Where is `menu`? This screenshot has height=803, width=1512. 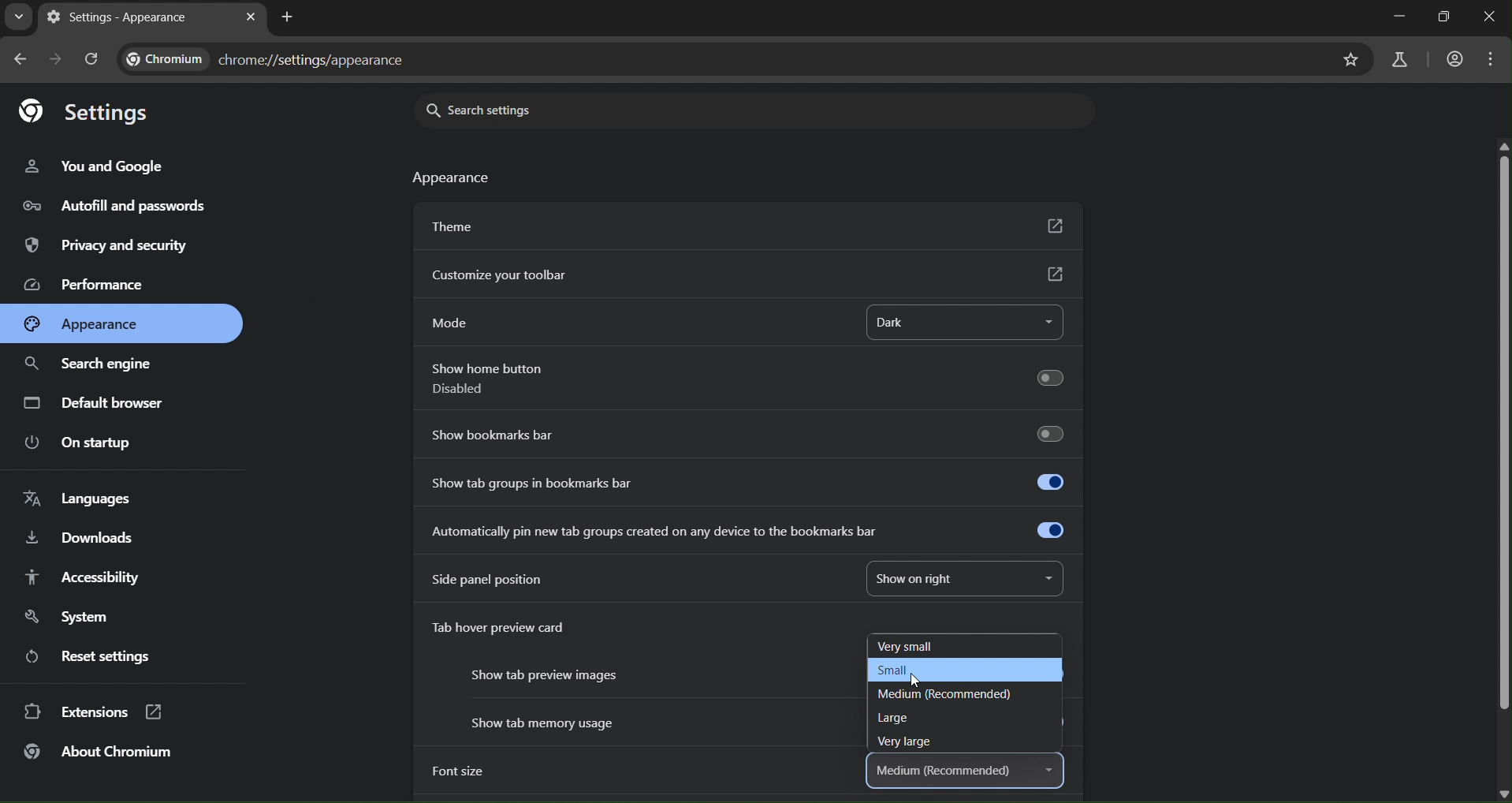
menu is located at coordinates (1493, 58).